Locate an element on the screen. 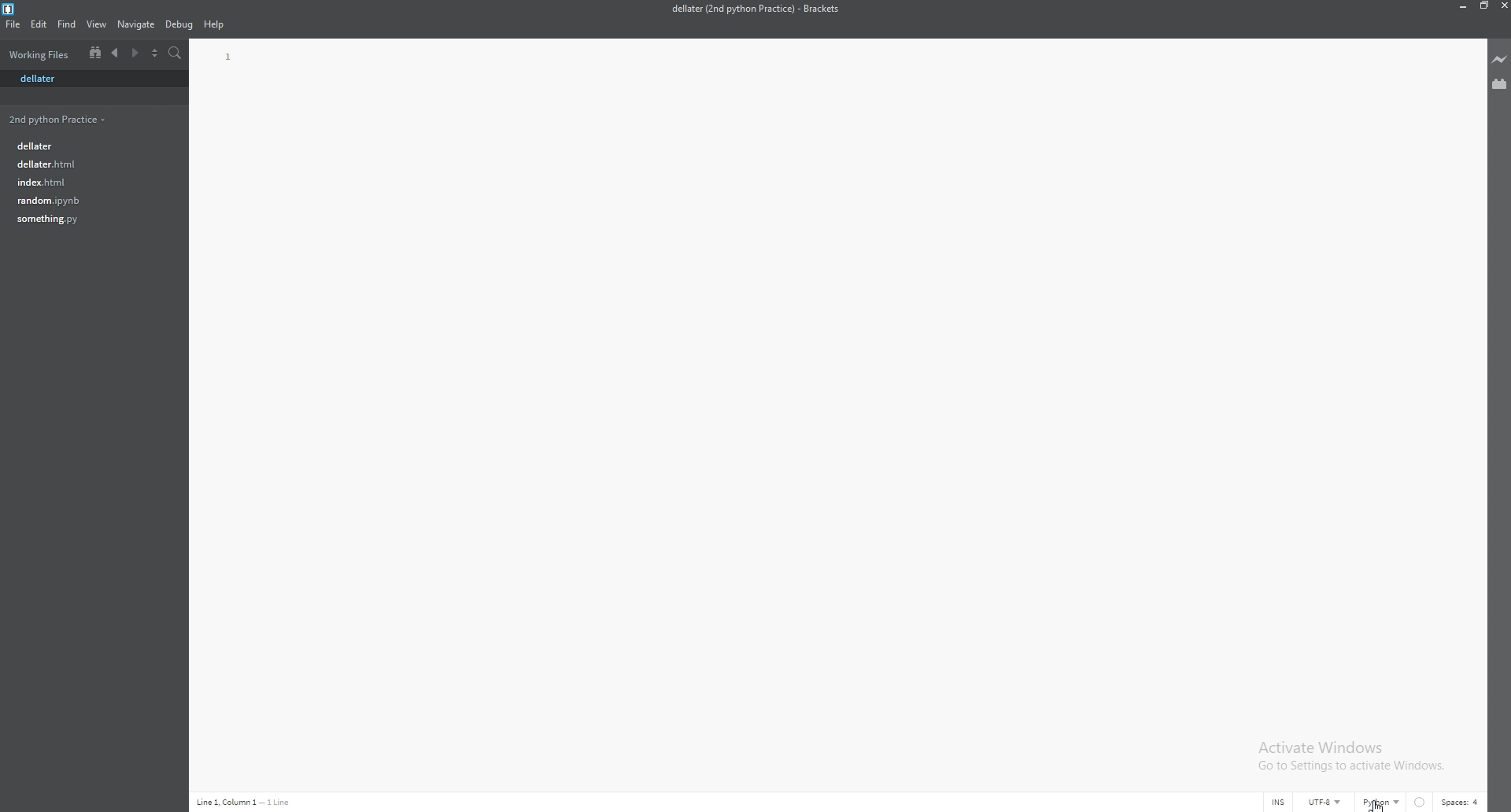 The height and width of the screenshot is (812, 1511). navigate is located at coordinates (136, 25).